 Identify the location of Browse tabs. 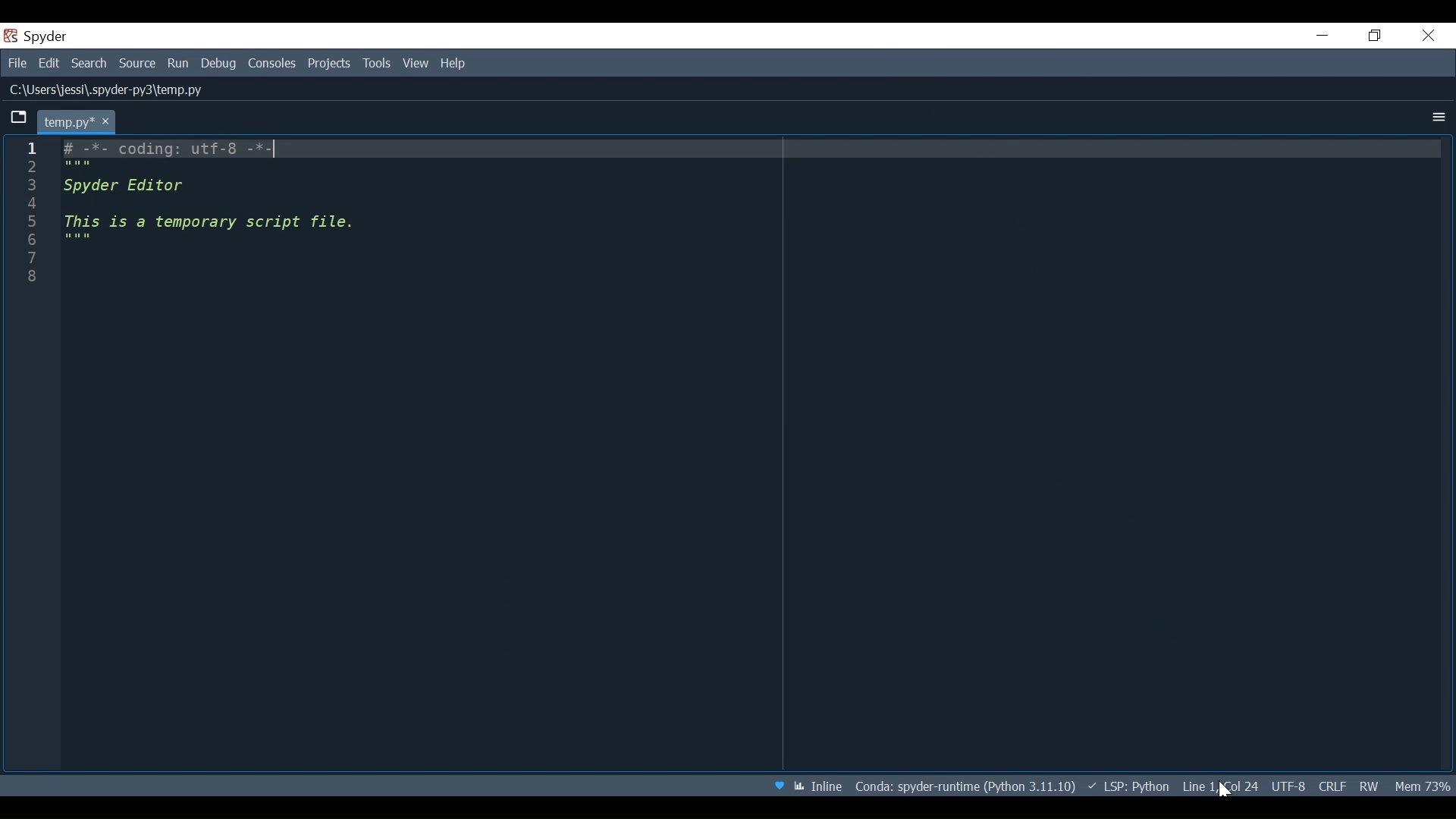
(17, 120).